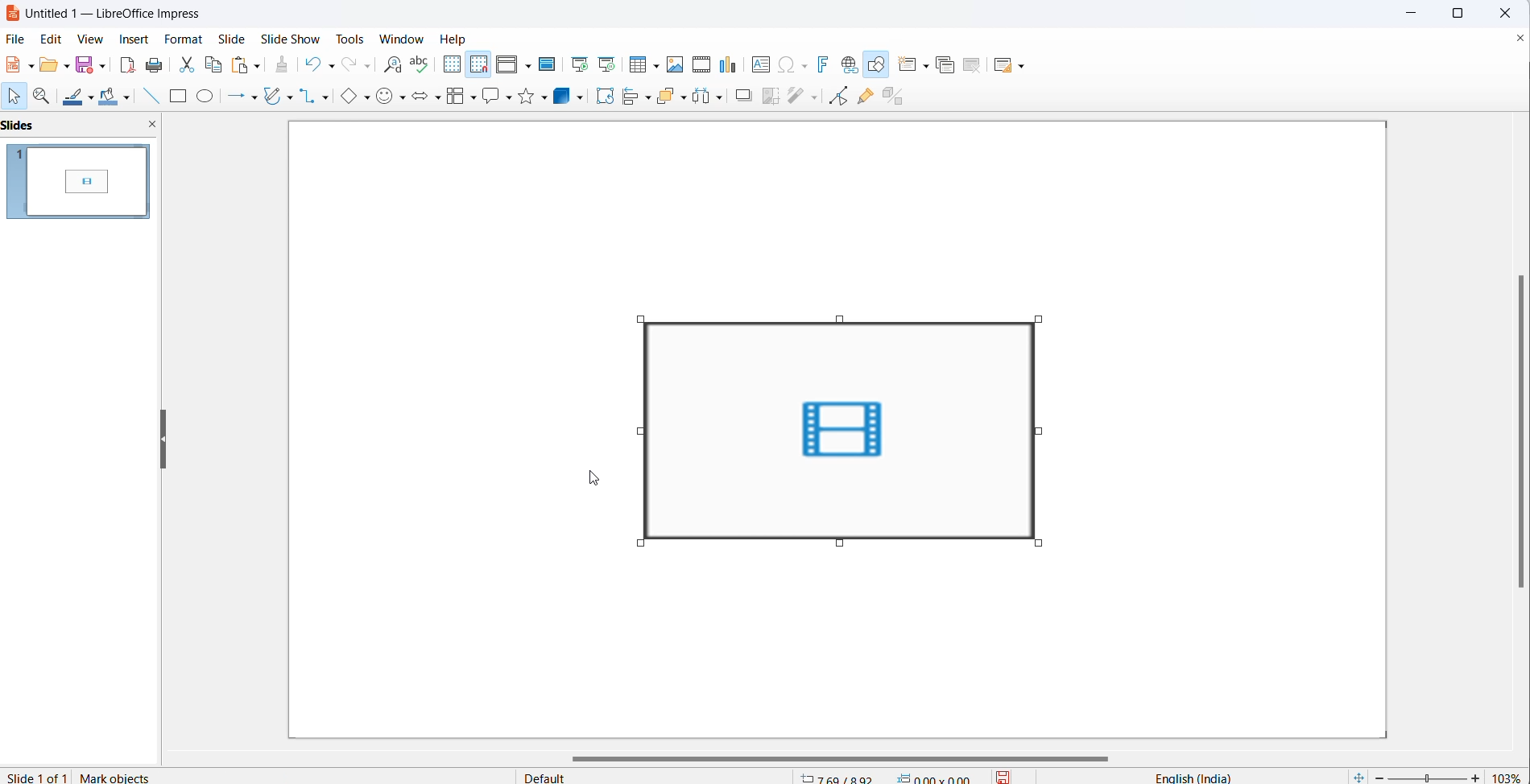 This screenshot has height=784, width=1530. Describe the element at coordinates (11, 14) in the screenshot. I see `logo` at that location.